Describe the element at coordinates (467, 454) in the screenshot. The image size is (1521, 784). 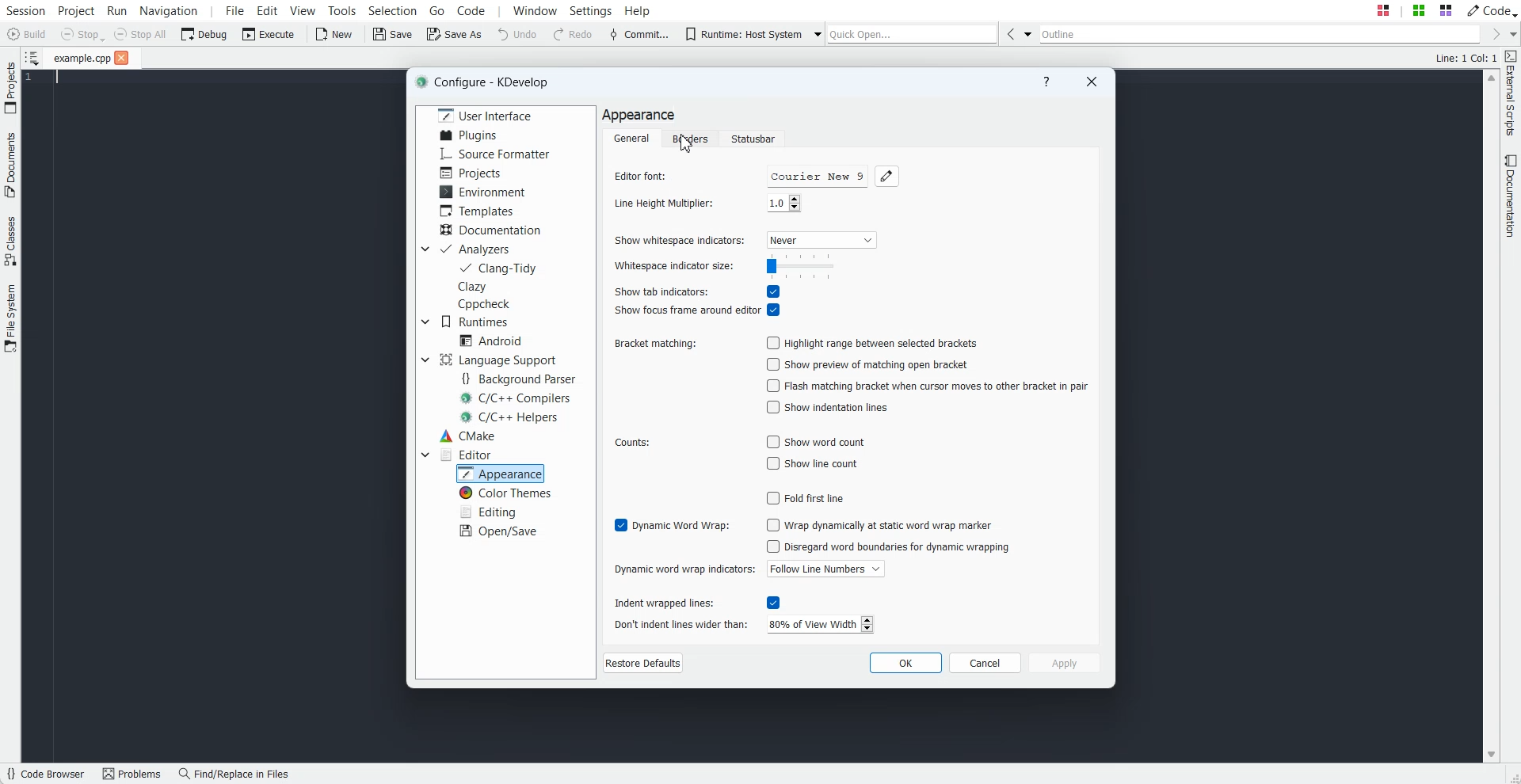
I see `Editor` at that location.